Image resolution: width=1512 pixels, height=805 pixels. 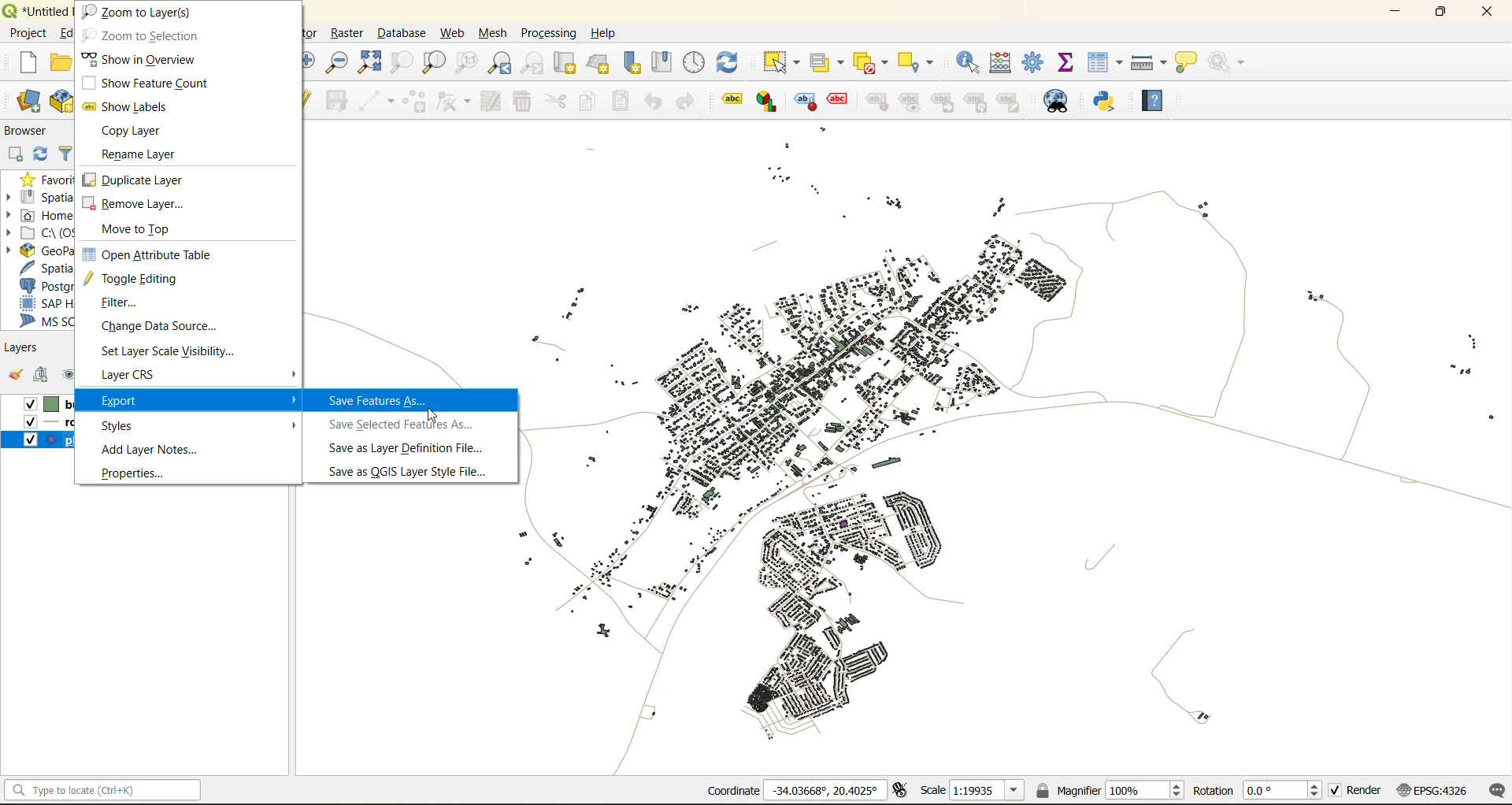 I want to click on maximize, so click(x=1440, y=13).